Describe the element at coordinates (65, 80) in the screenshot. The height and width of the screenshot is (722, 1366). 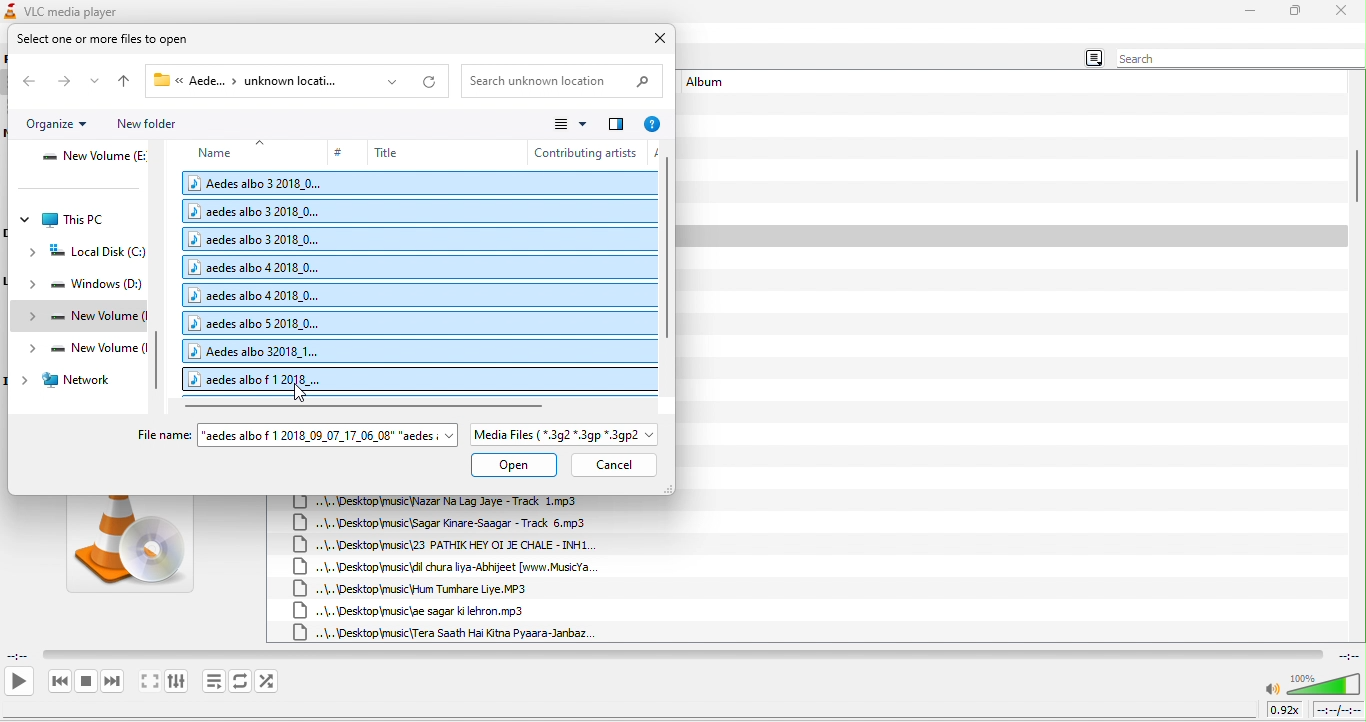
I see `forward` at that location.